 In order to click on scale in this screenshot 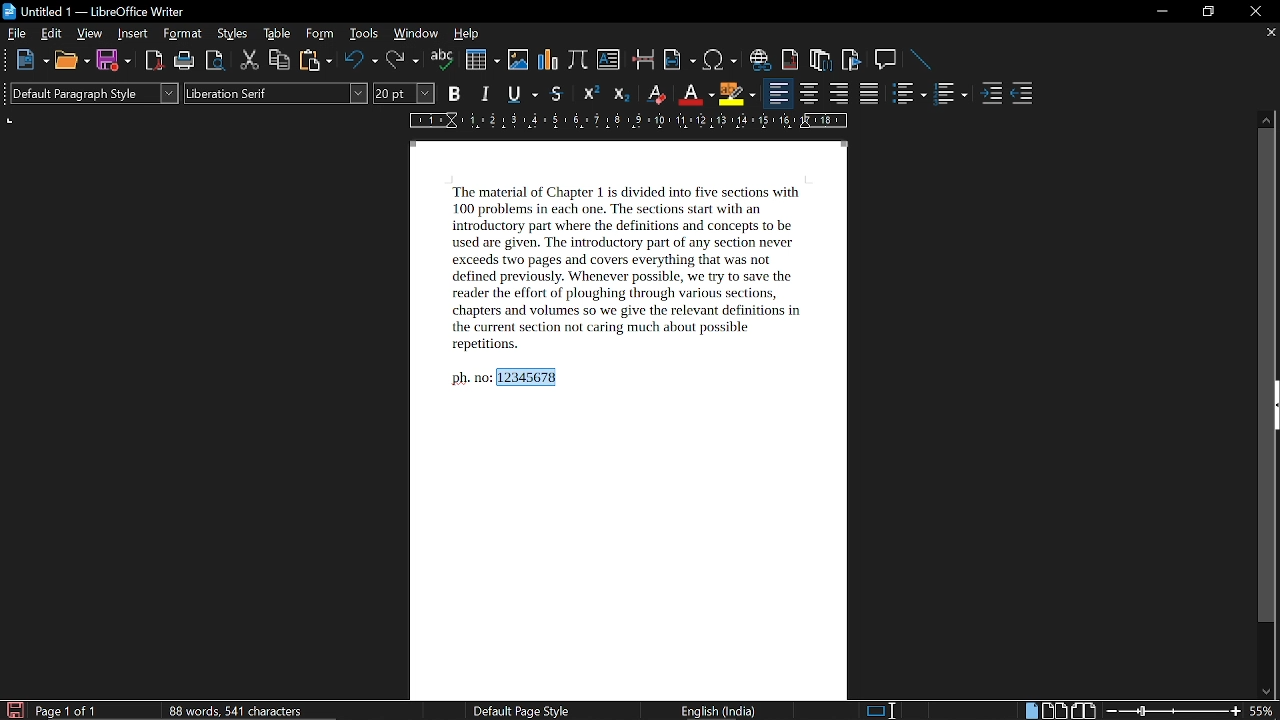, I will do `click(624, 123)`.